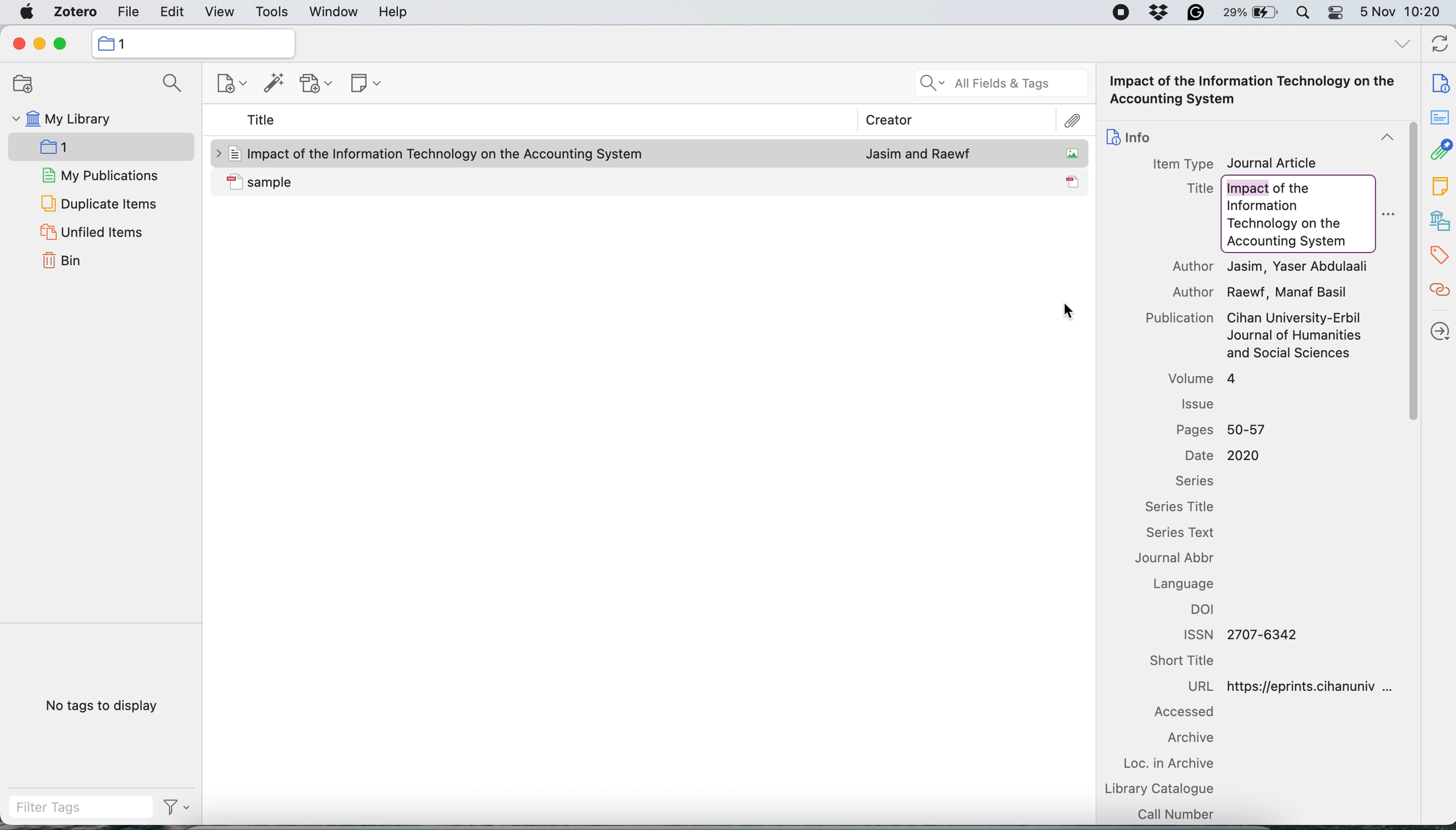  What do you see at coordinates (227, 83) in the screenshot?
I see `new item` at bounding box center [227, 83].